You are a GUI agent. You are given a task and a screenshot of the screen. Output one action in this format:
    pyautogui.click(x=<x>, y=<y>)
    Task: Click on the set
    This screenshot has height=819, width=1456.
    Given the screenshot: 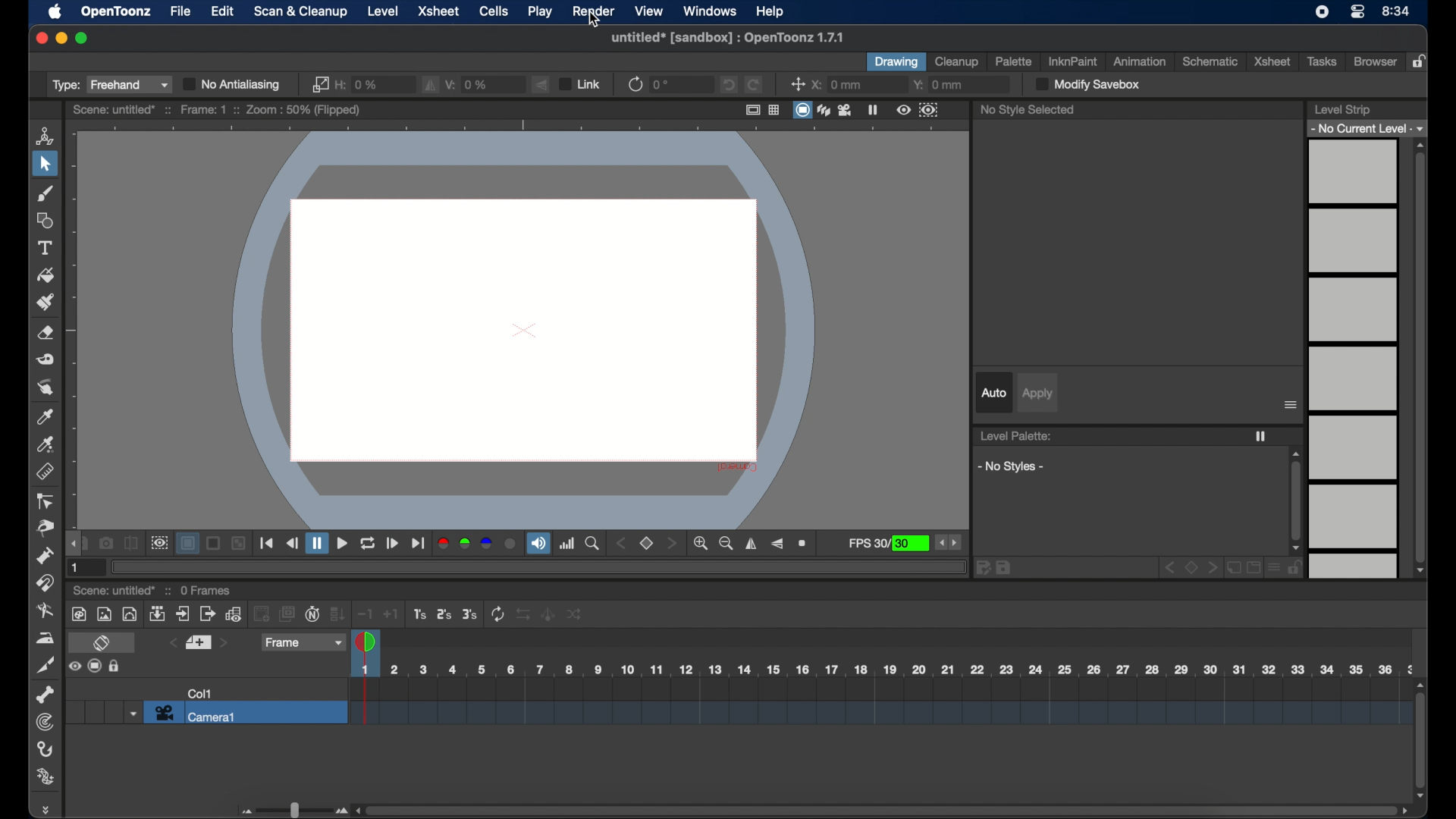 What is the action you would take?
    pyautogui.click(x=197, y=643)
    